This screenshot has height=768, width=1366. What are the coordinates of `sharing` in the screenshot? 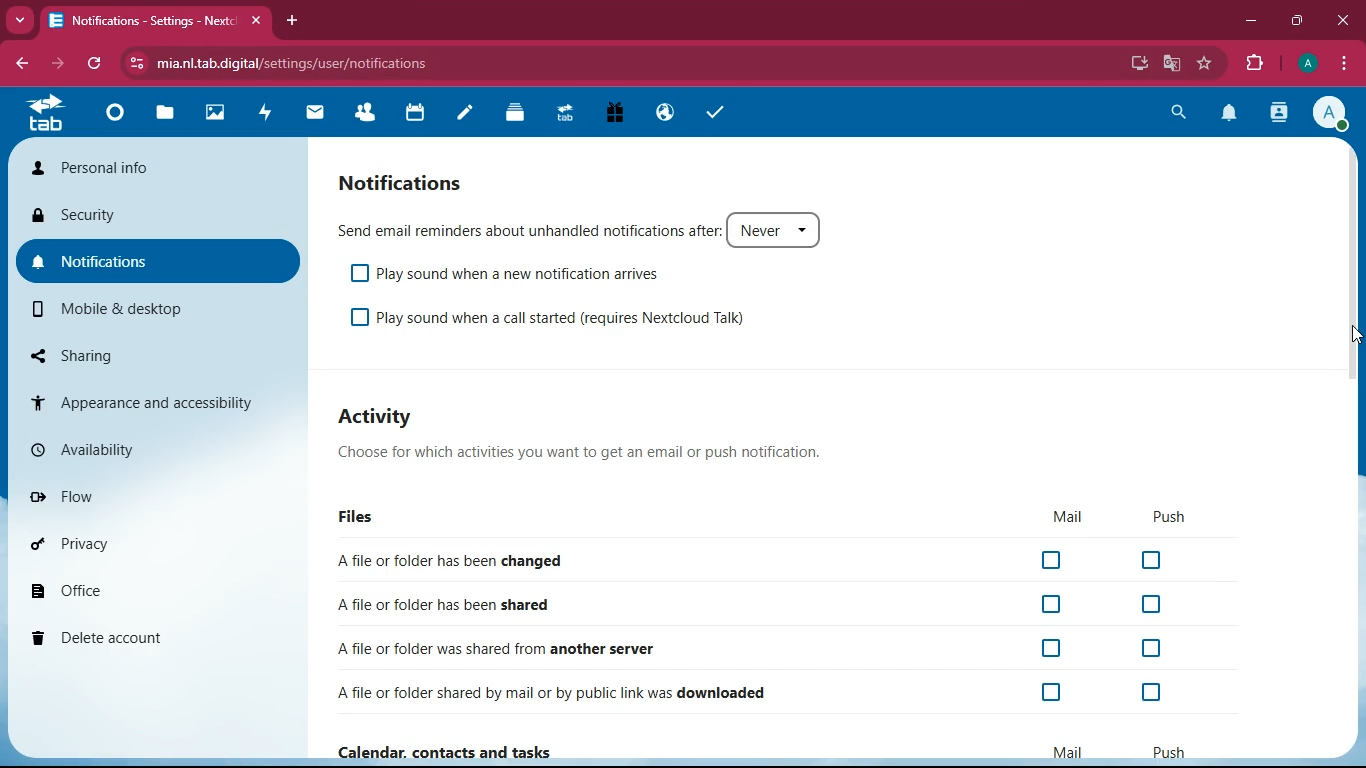 It's located at (159, 354).